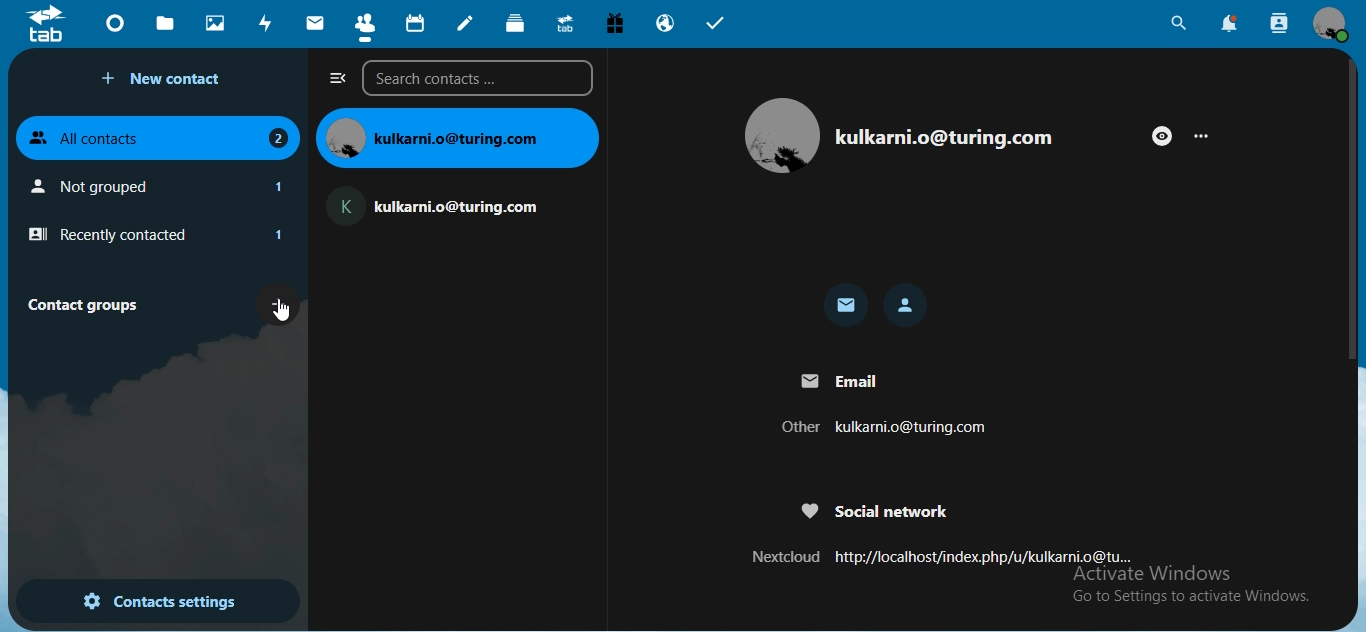 The image size is (1366, 632). Describe the element at coordinates (166, 79) in the screenshot. I see `new contact` at that location.